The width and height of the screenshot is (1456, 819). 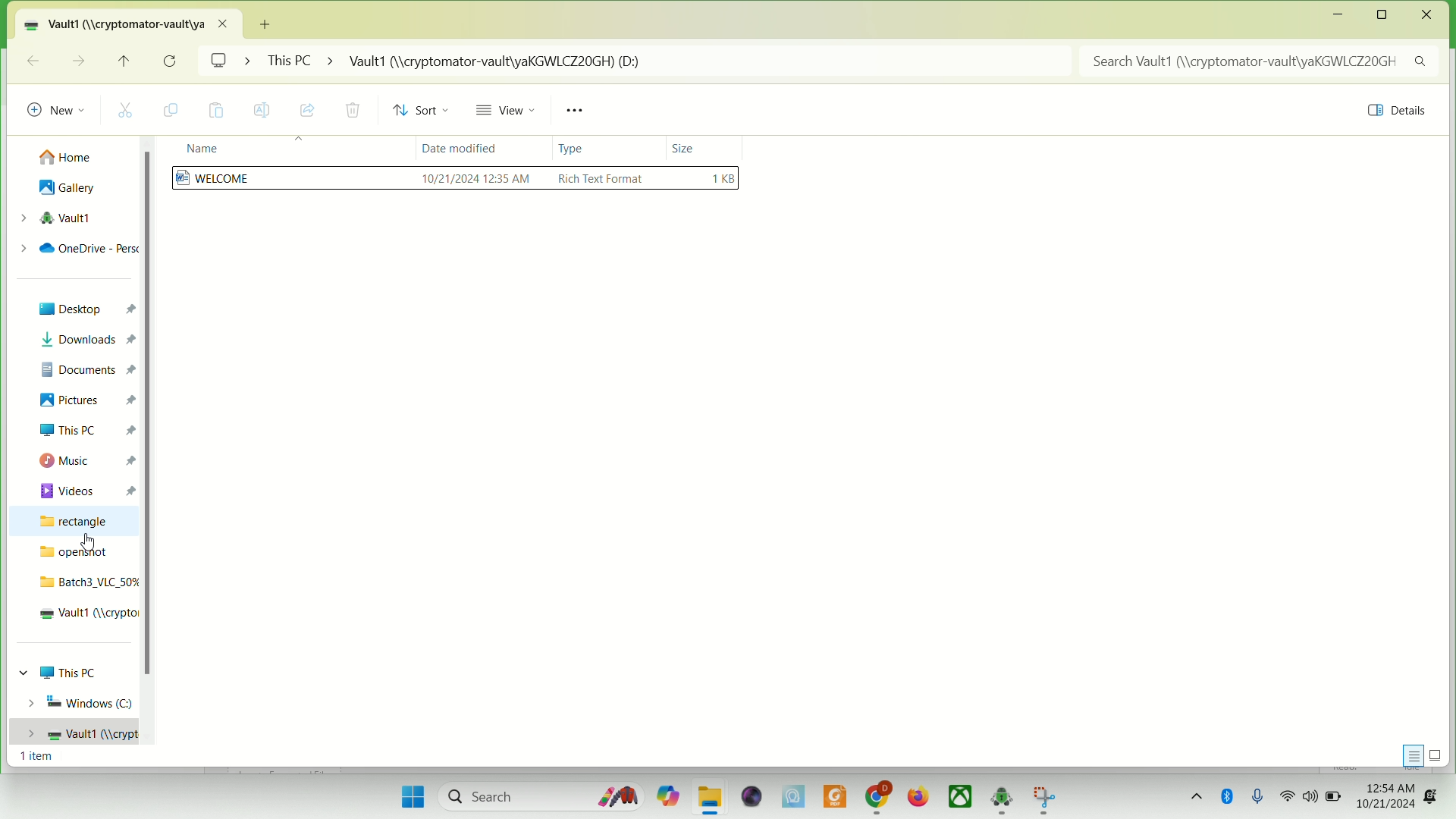 What do you see at coordinates (87, 489) in the screenshot?
I see `videos` at bounding box center [87, 489].